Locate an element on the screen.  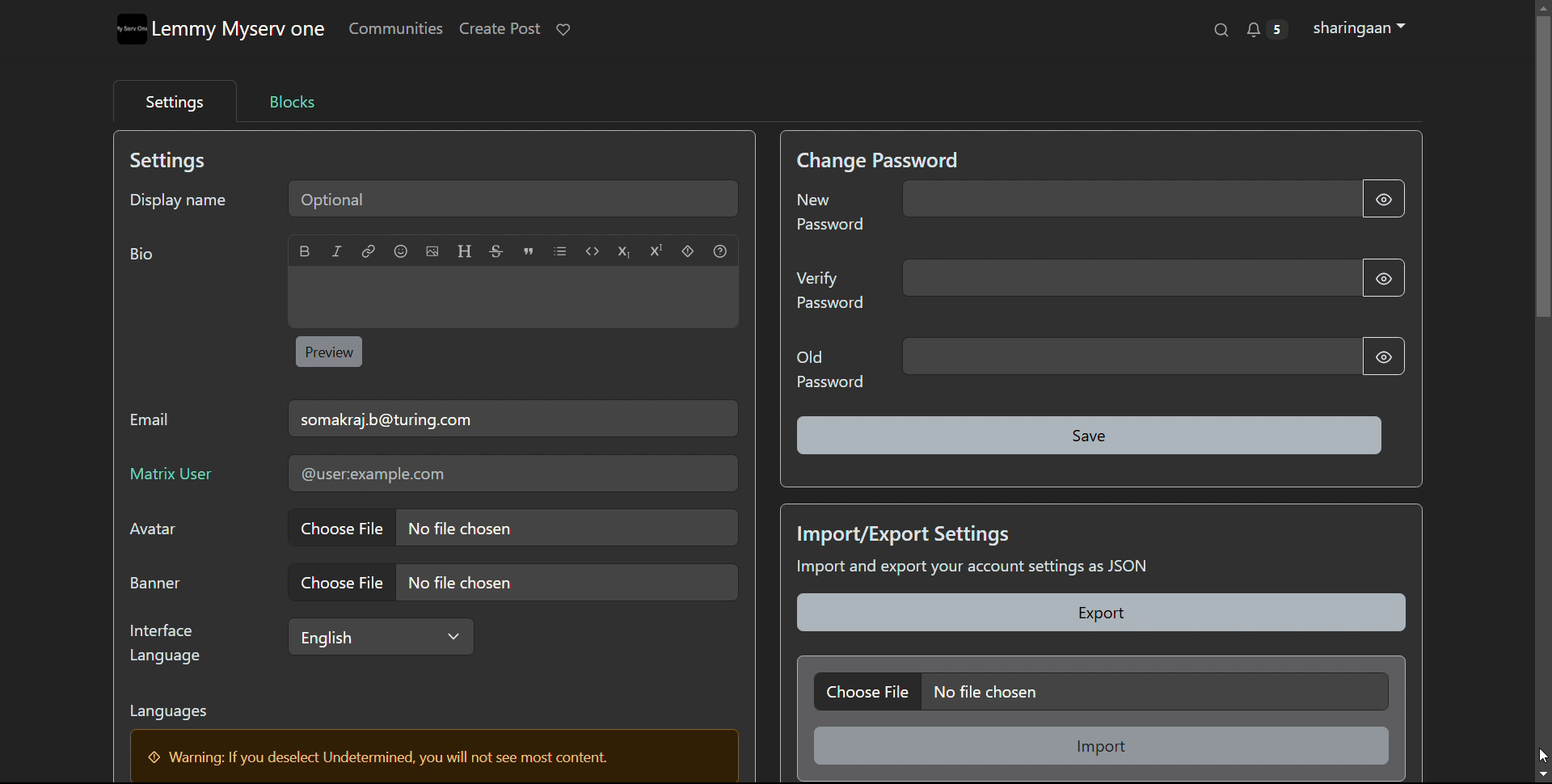
lemmy myserv one is located at coordinates (239, 30).